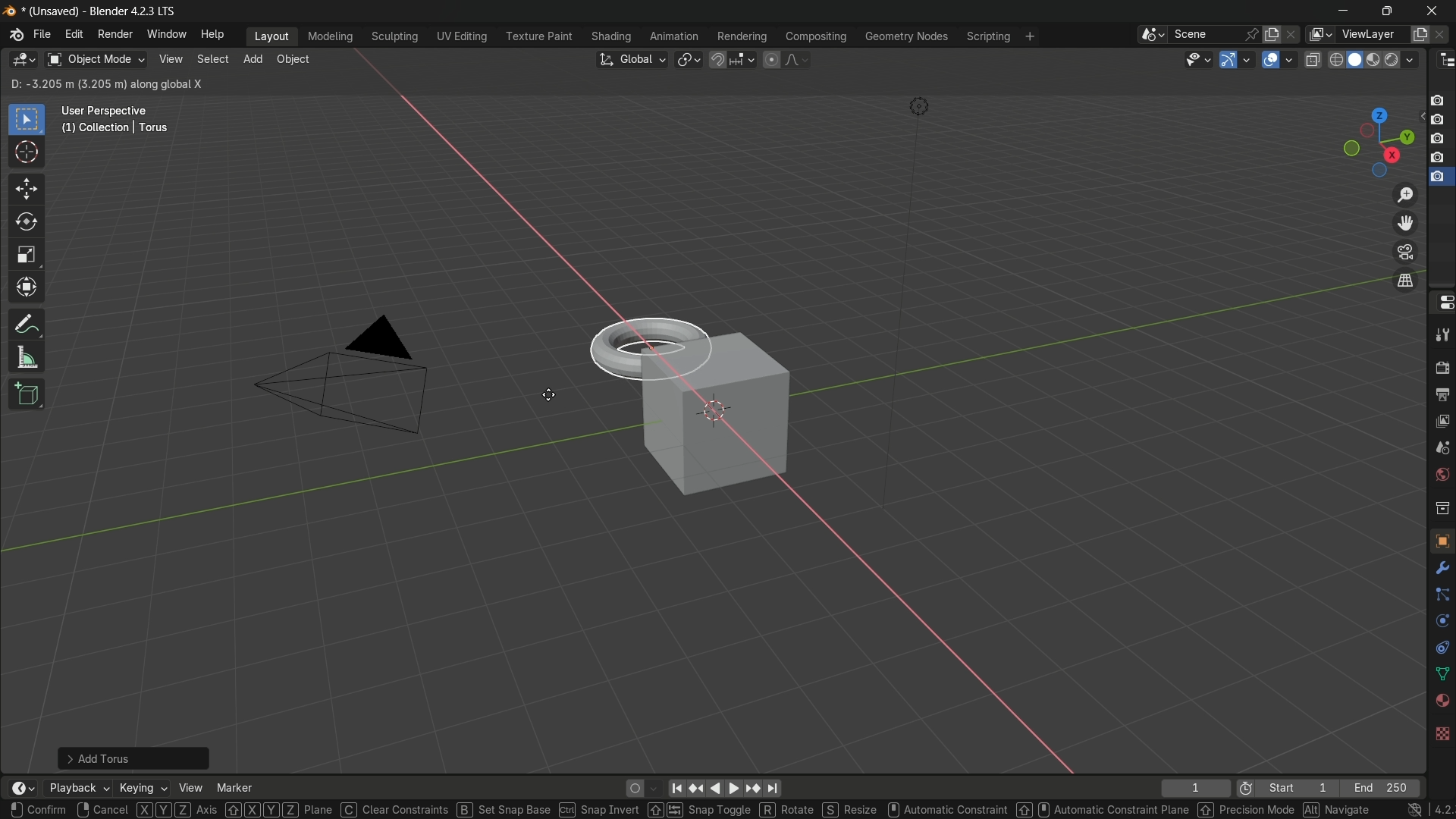 Image resolution: width=1456 pixels, height=819 pixels. Describe the element at coordinates (73, 33) in the screenshot. I see `edit menu` at that location.